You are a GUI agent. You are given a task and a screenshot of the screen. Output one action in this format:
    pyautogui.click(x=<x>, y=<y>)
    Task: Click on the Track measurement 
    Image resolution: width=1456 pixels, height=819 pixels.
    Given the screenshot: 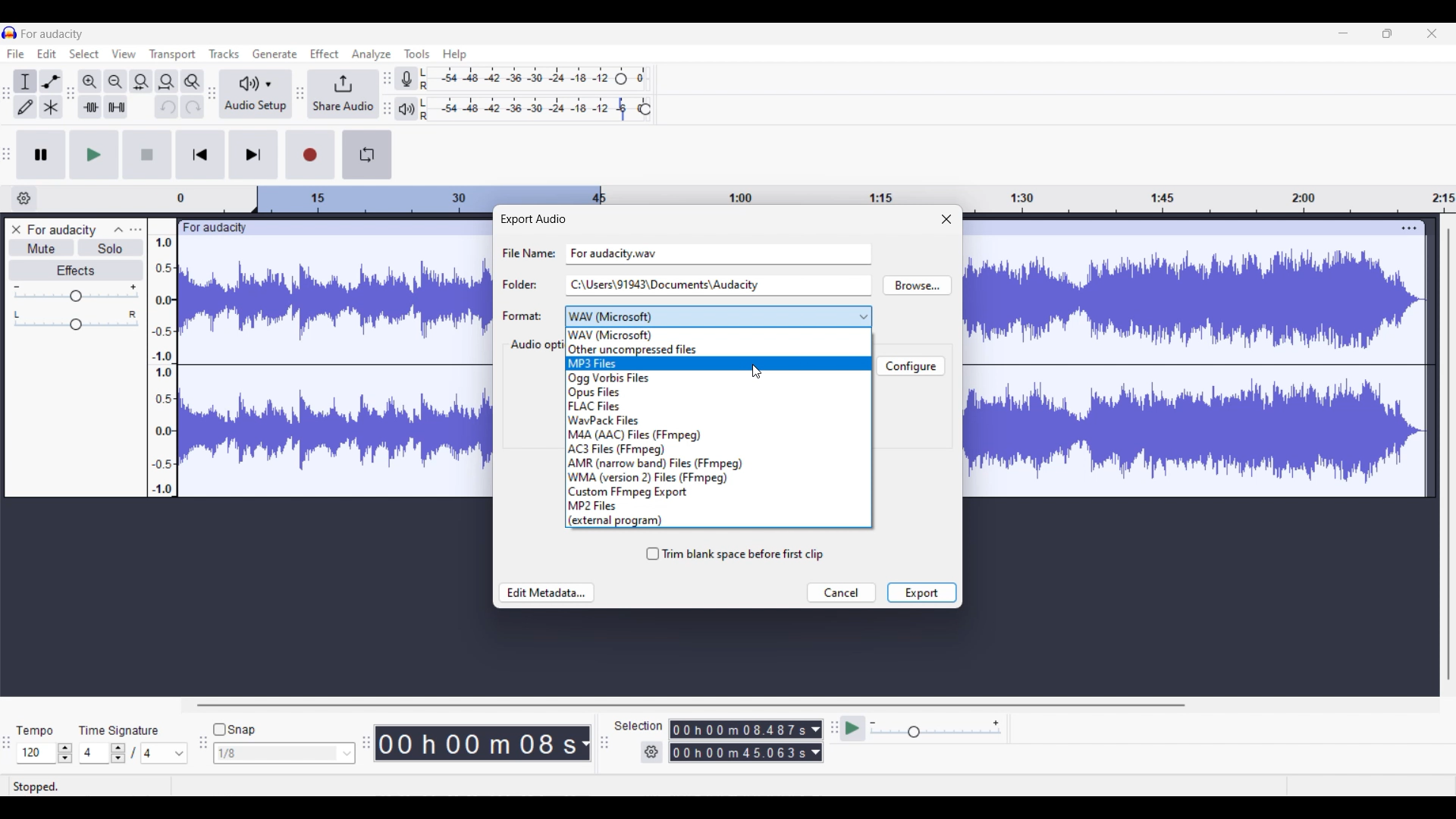 What is the action you would take?
    pyautogui.click(x=584, y=743)
    